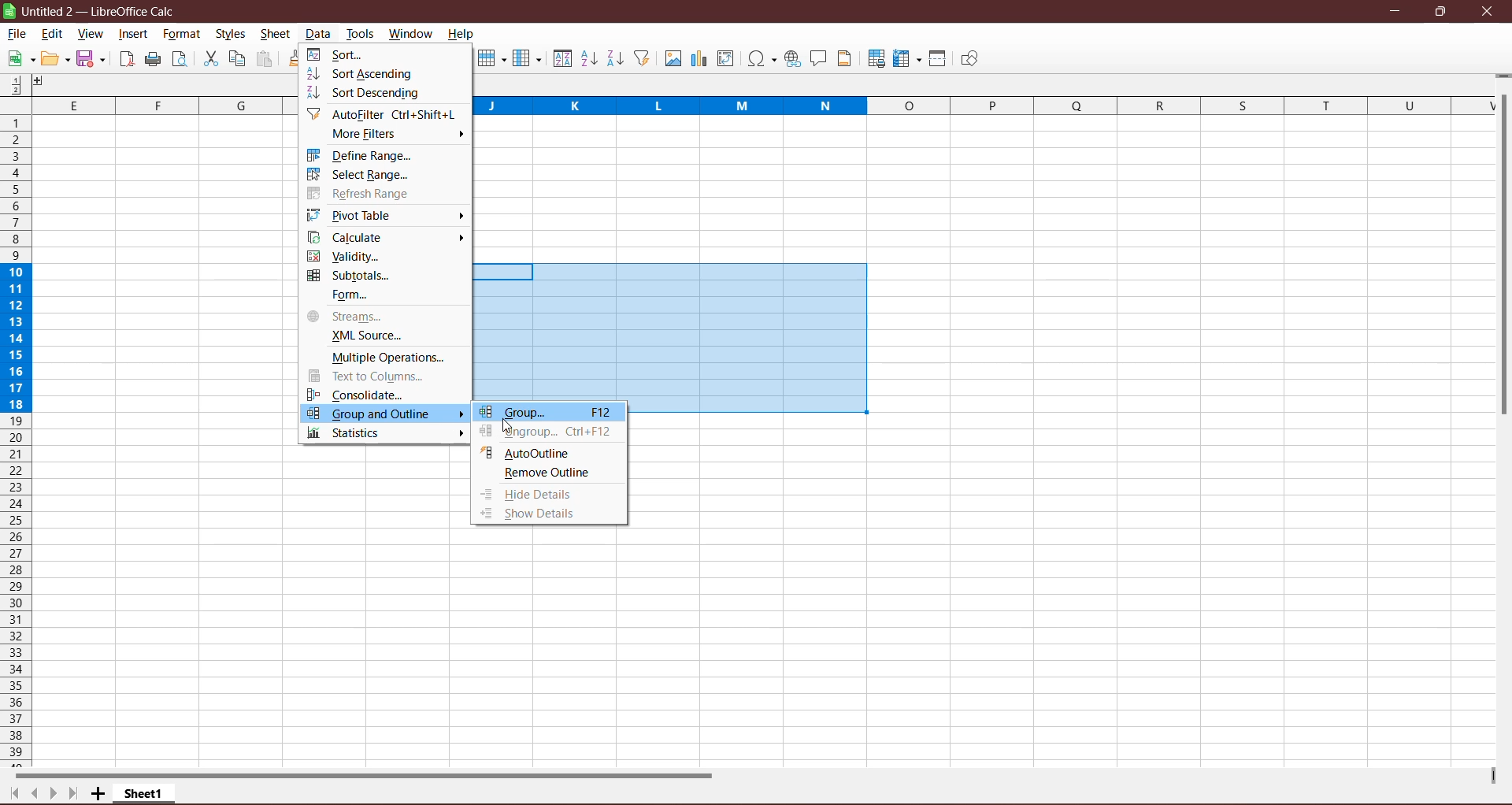 The height and width of the screenshot is (805, 1512). I want to click on Validity, so click(346, 256).